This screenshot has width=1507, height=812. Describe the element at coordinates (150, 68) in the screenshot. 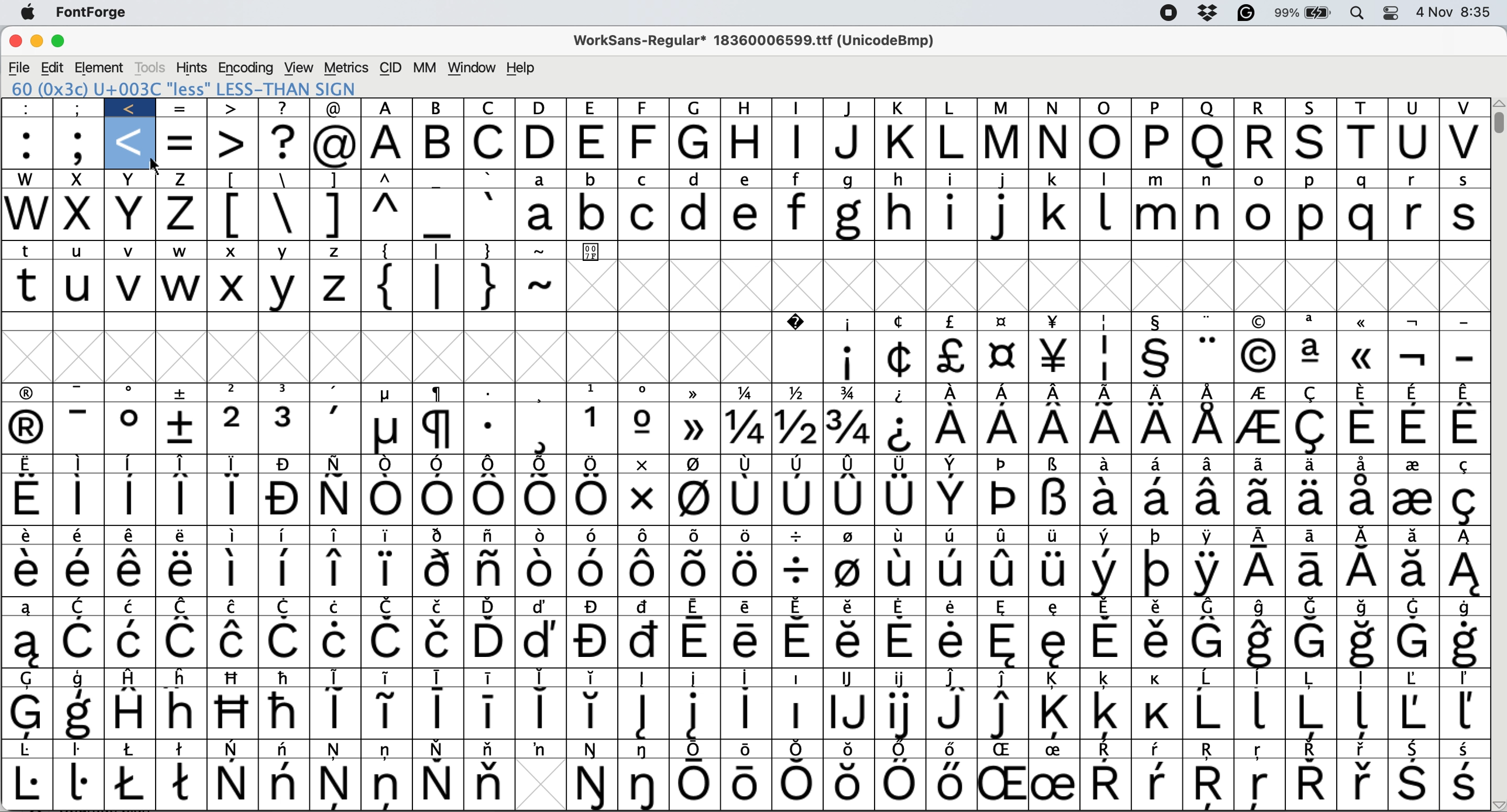

I see `tools` at that location.